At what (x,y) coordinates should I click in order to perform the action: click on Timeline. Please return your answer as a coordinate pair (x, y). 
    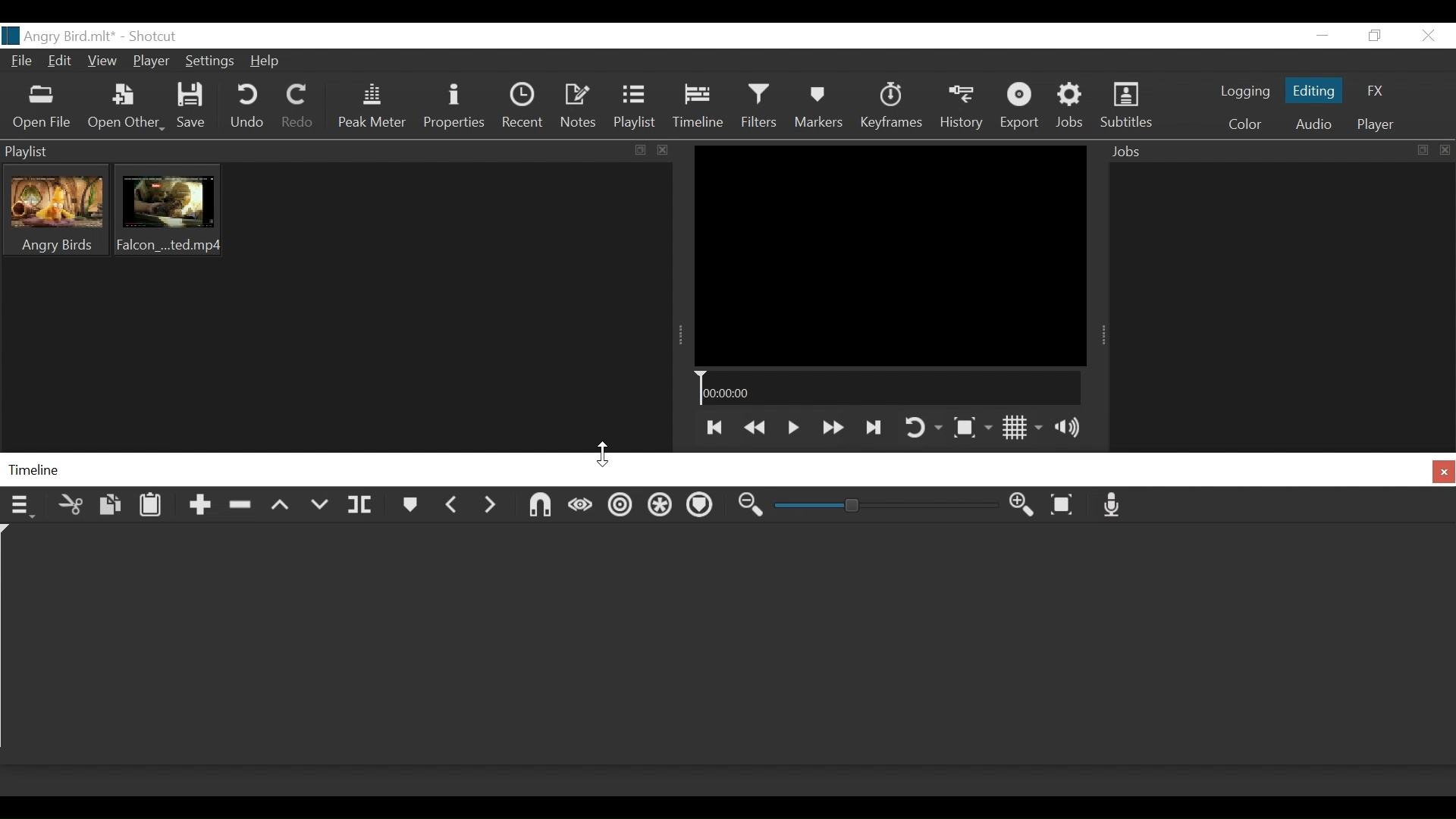
    Looking at the image, I should click on (888, 389).